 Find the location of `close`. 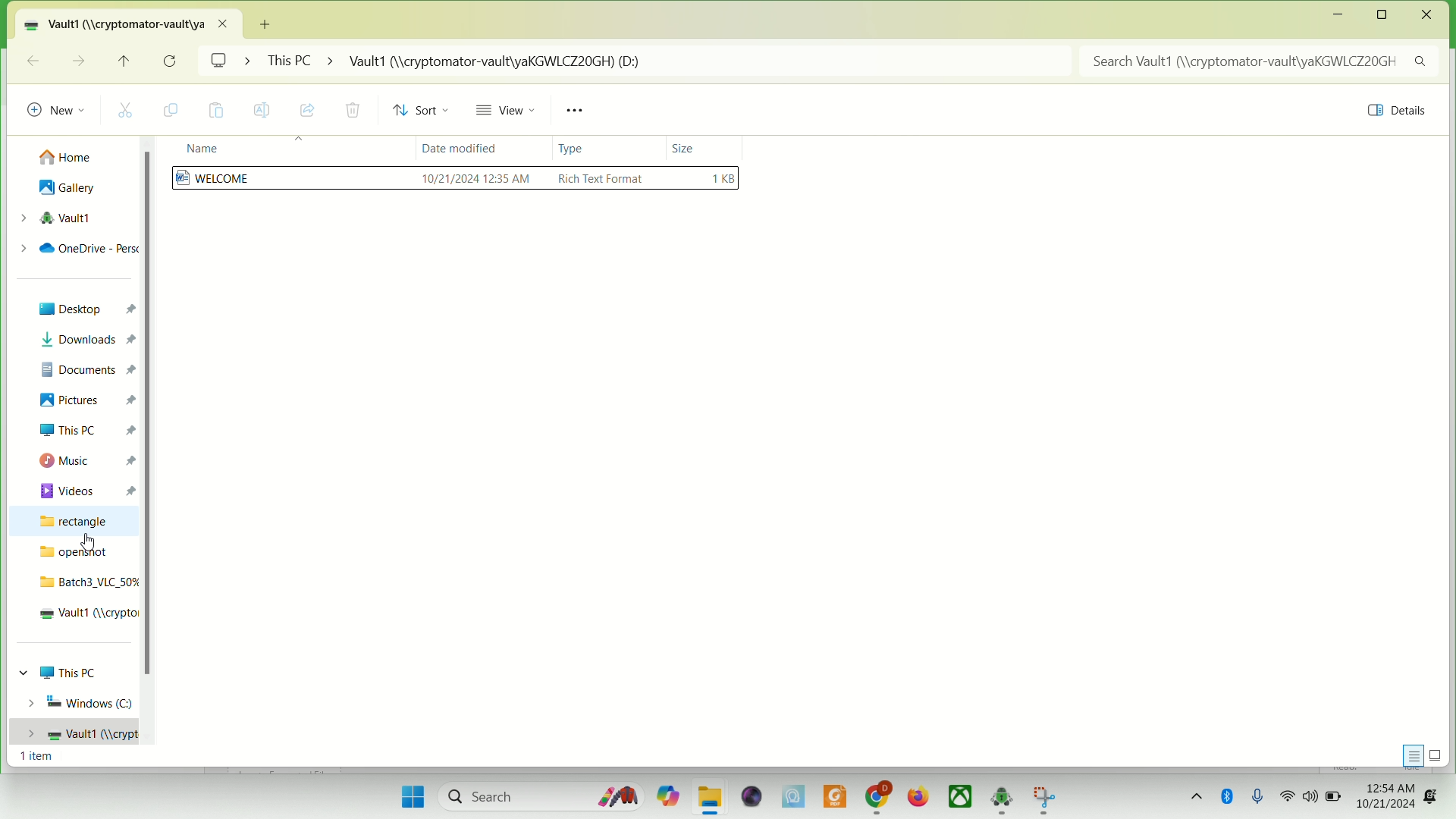

close is located at coordinates (1427, 15).